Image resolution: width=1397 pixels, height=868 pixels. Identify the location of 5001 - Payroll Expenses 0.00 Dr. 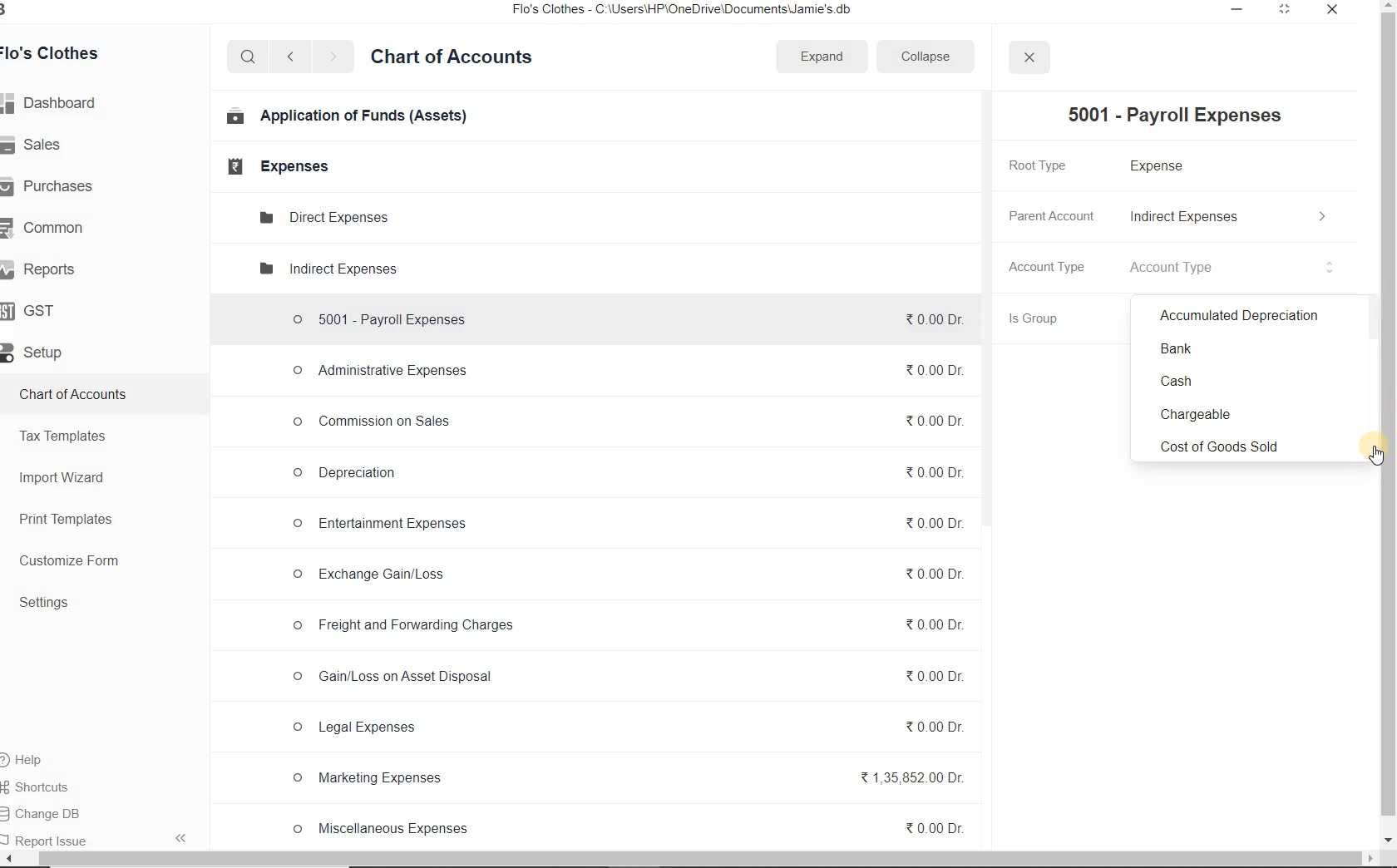
(627, 316).